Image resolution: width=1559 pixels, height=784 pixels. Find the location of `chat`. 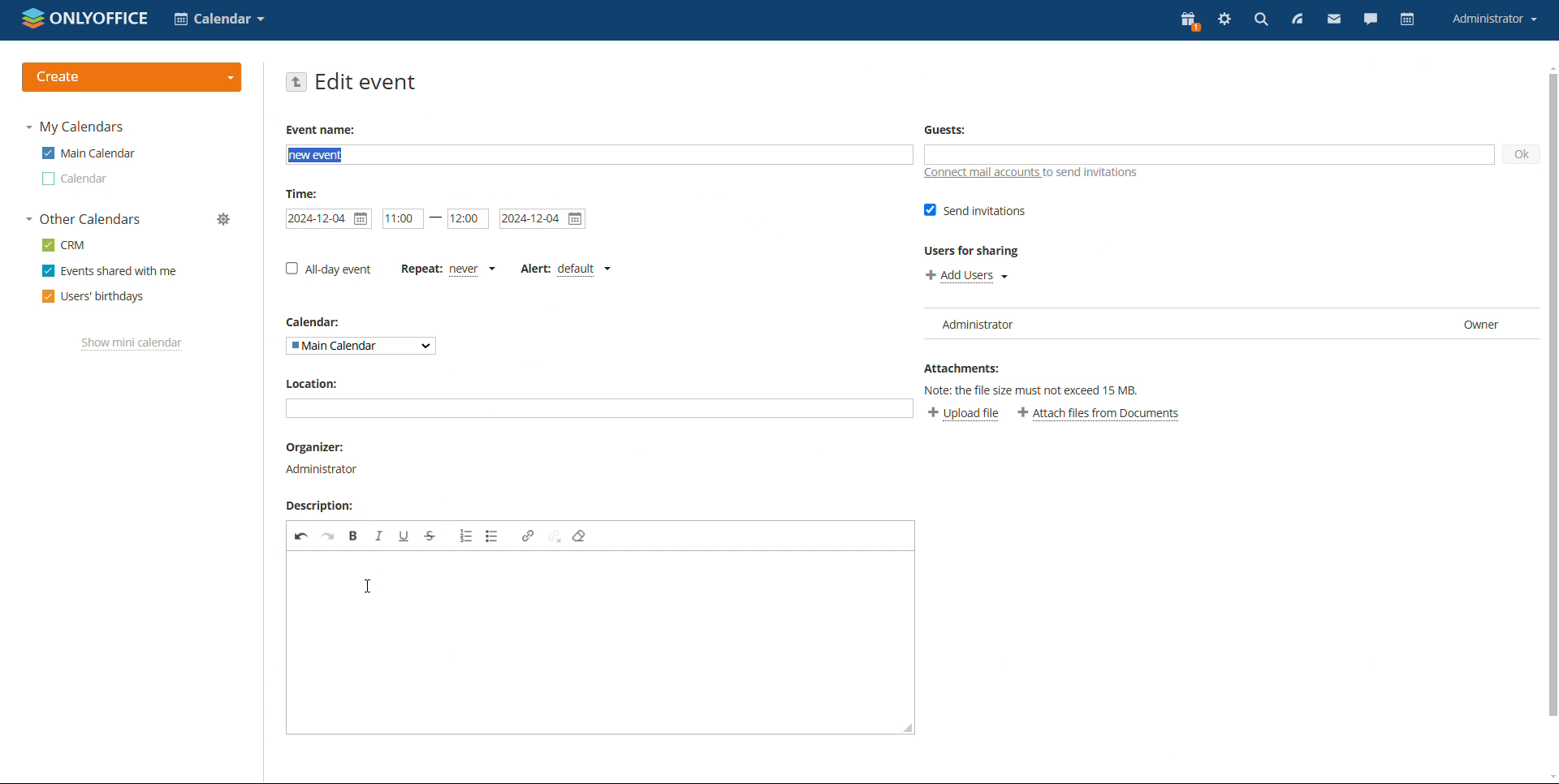

chat is located at coordinates (1371, 21).